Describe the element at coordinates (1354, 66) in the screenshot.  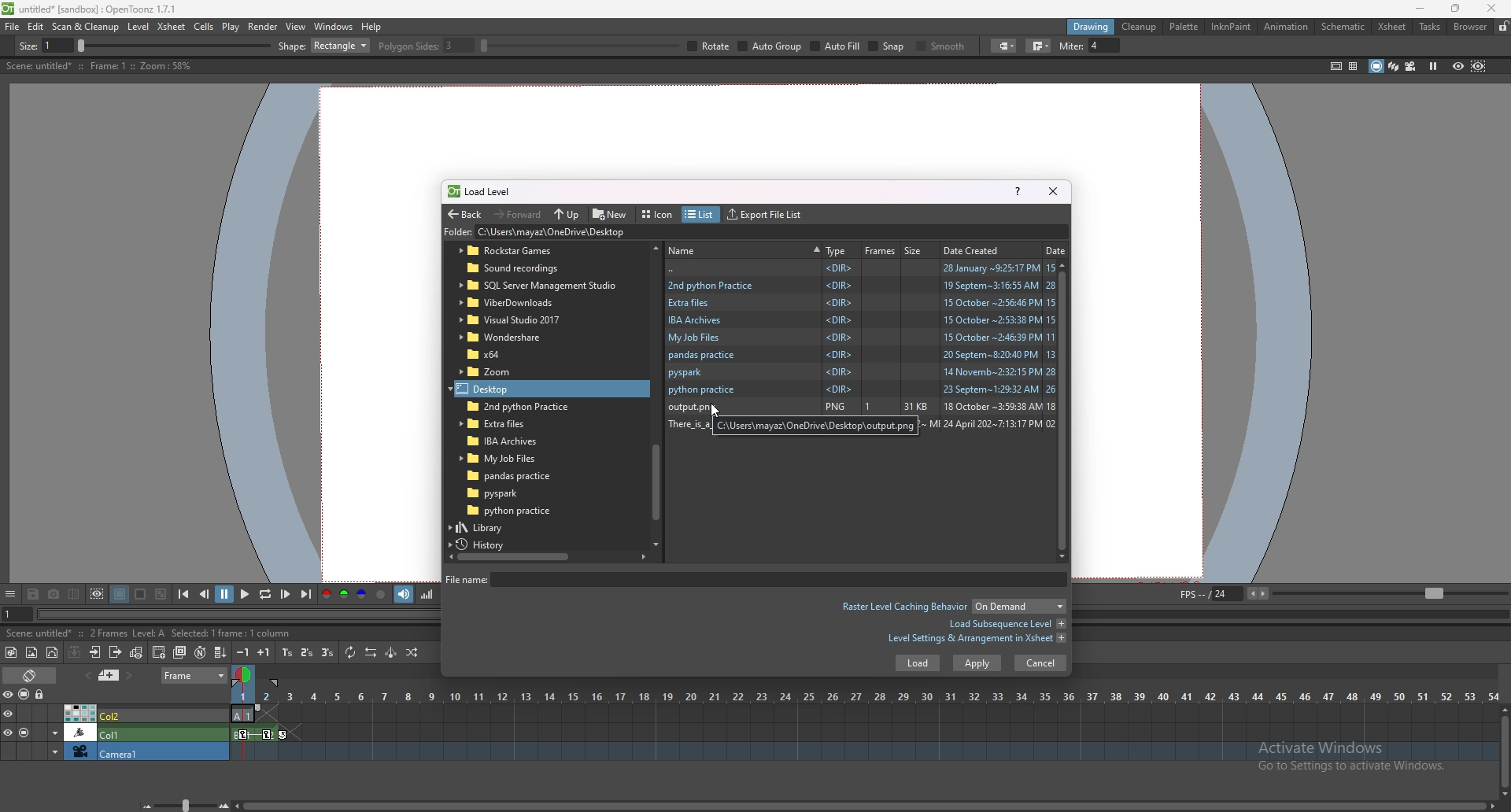
I see `field guide` at that location.